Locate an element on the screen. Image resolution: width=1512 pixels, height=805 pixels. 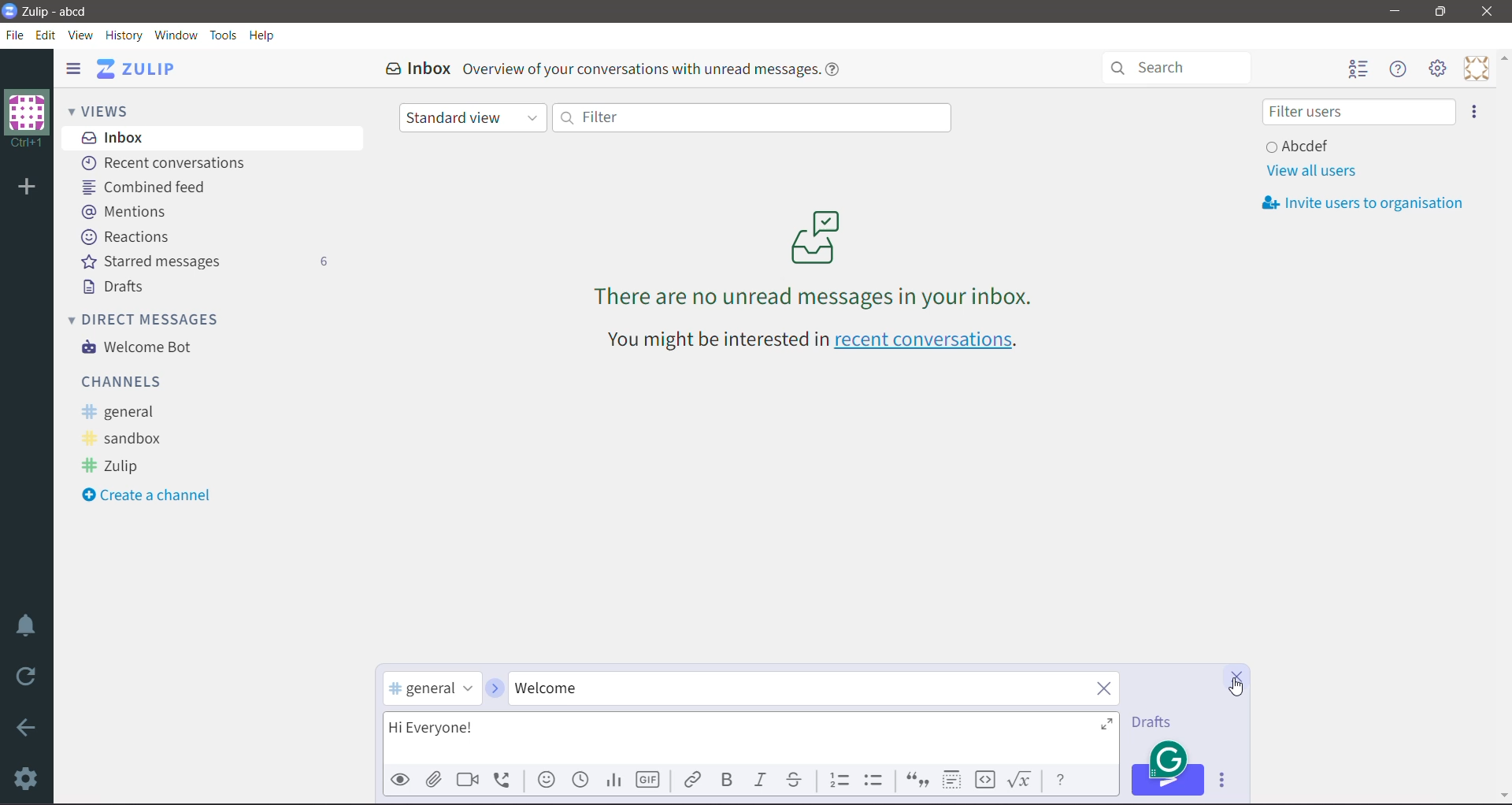
Application Logo is located at coordinates (9, 9).